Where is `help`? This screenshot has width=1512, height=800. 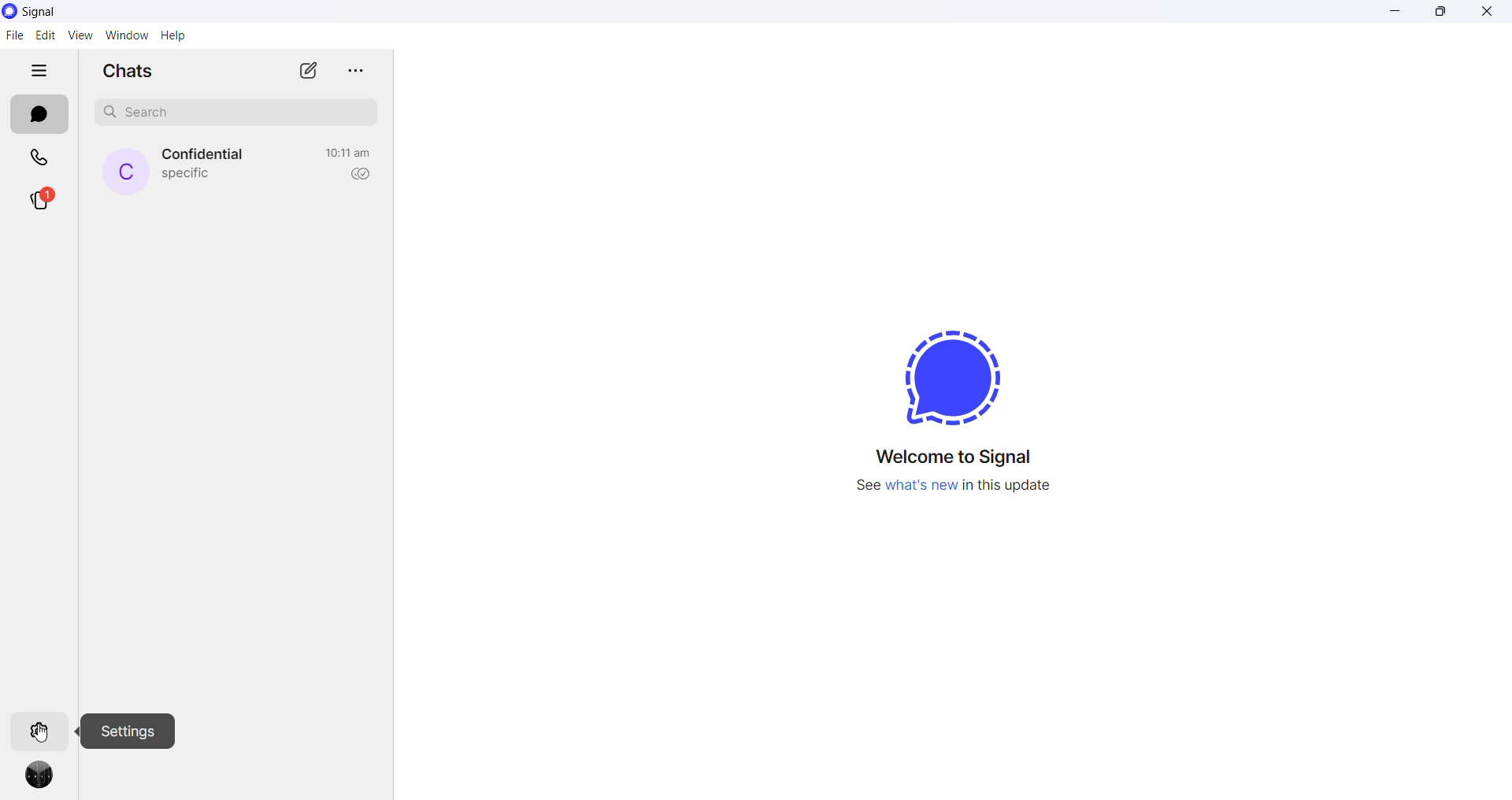 help is located at coordinates (172, 36).